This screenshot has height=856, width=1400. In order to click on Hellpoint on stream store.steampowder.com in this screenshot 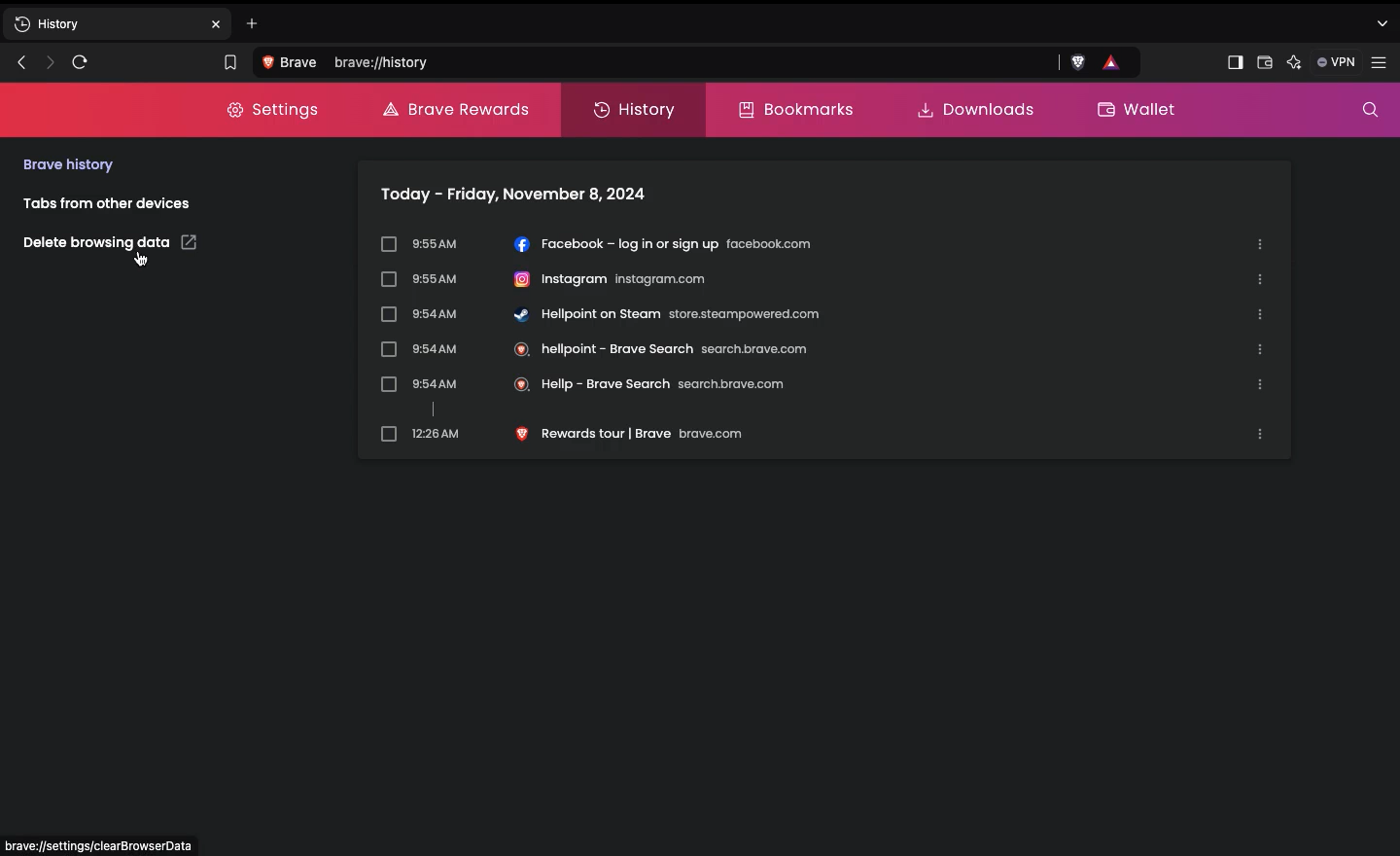, I will do `click(817, 313)`.